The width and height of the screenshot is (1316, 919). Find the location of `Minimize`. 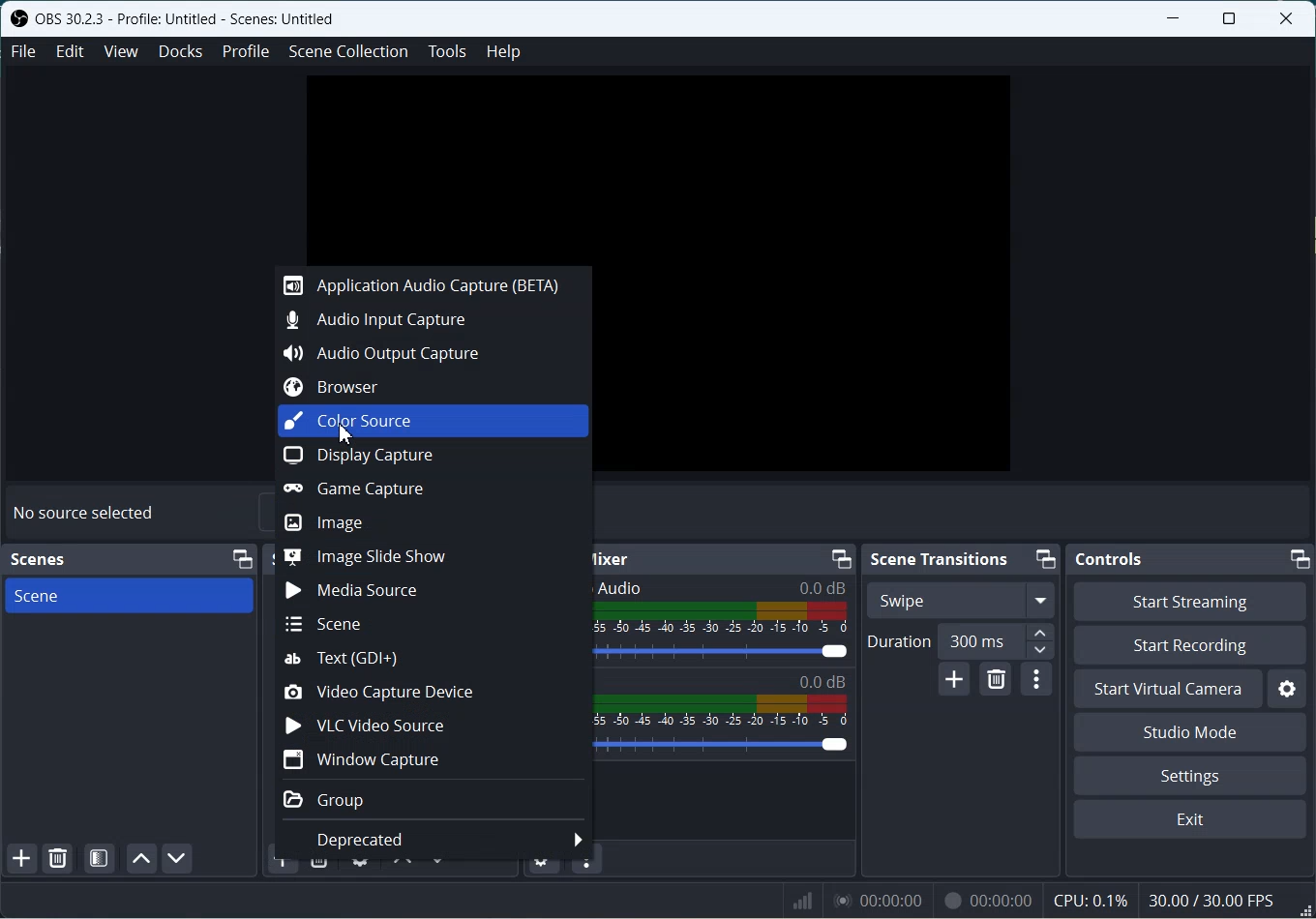

Minimize is located at coordinates (241, 557).